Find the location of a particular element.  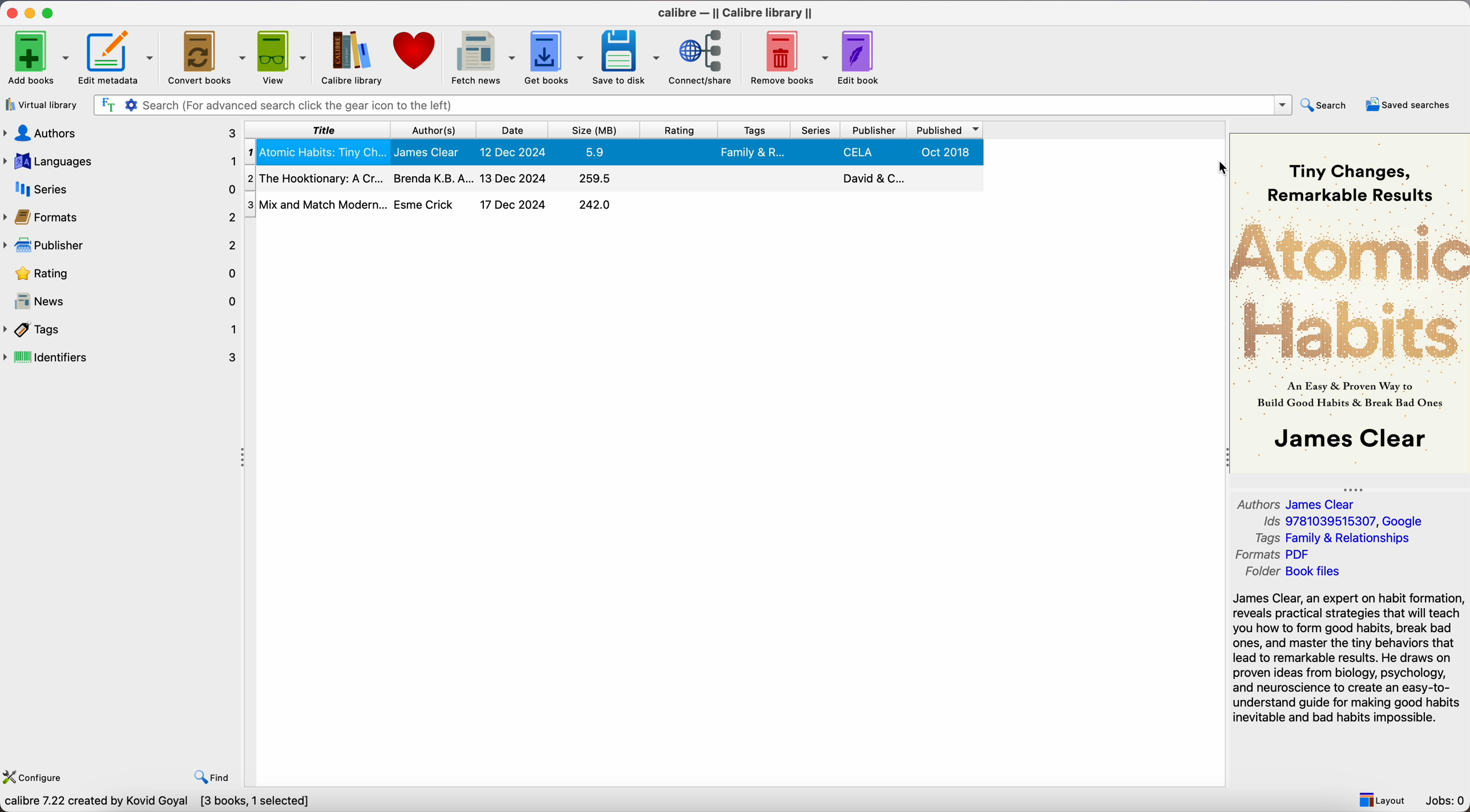

Family & R... is located at coordinates (757, 152).